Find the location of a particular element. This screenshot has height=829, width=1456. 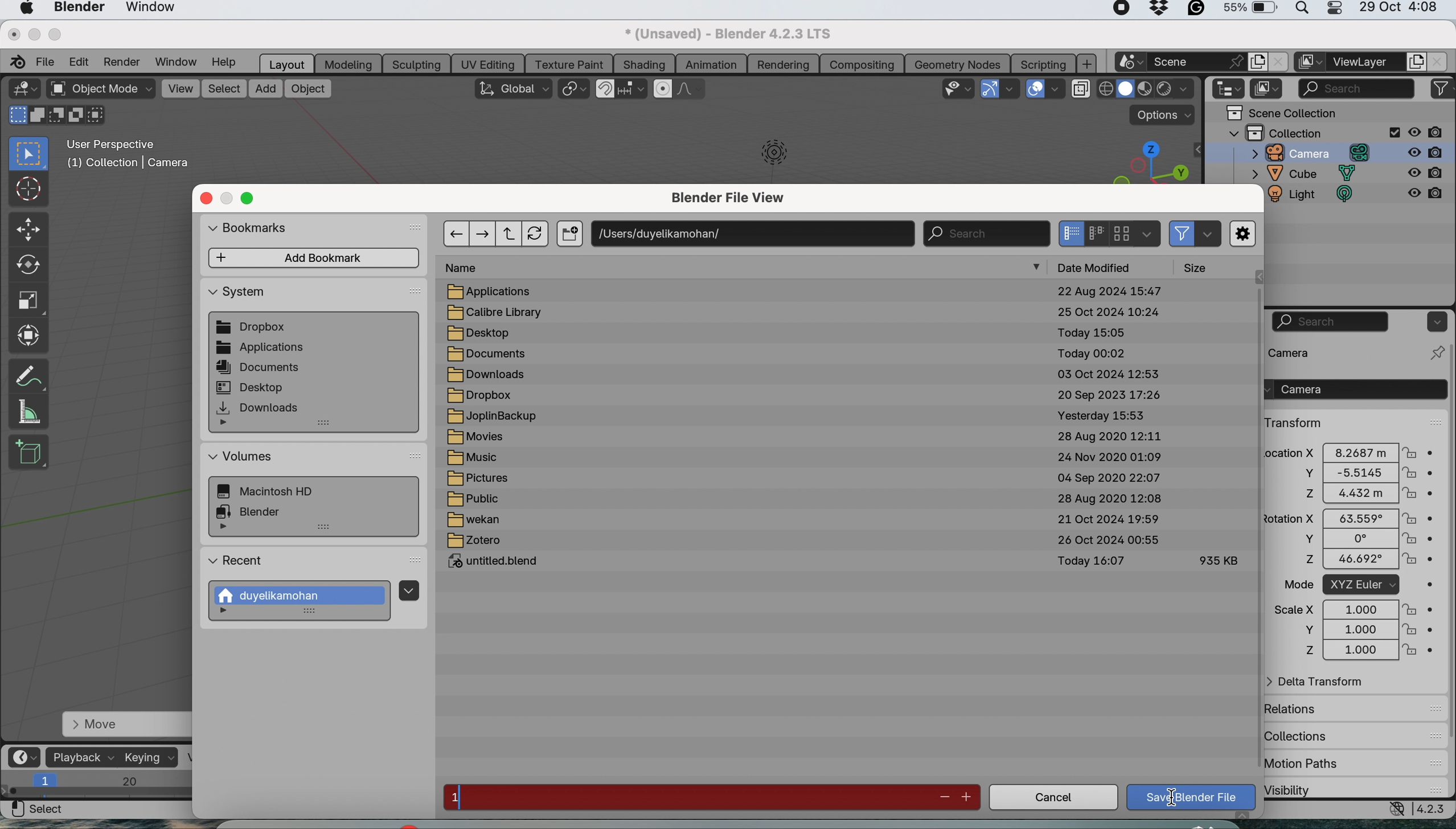

935 KB is located at coordinates (1219, 561).